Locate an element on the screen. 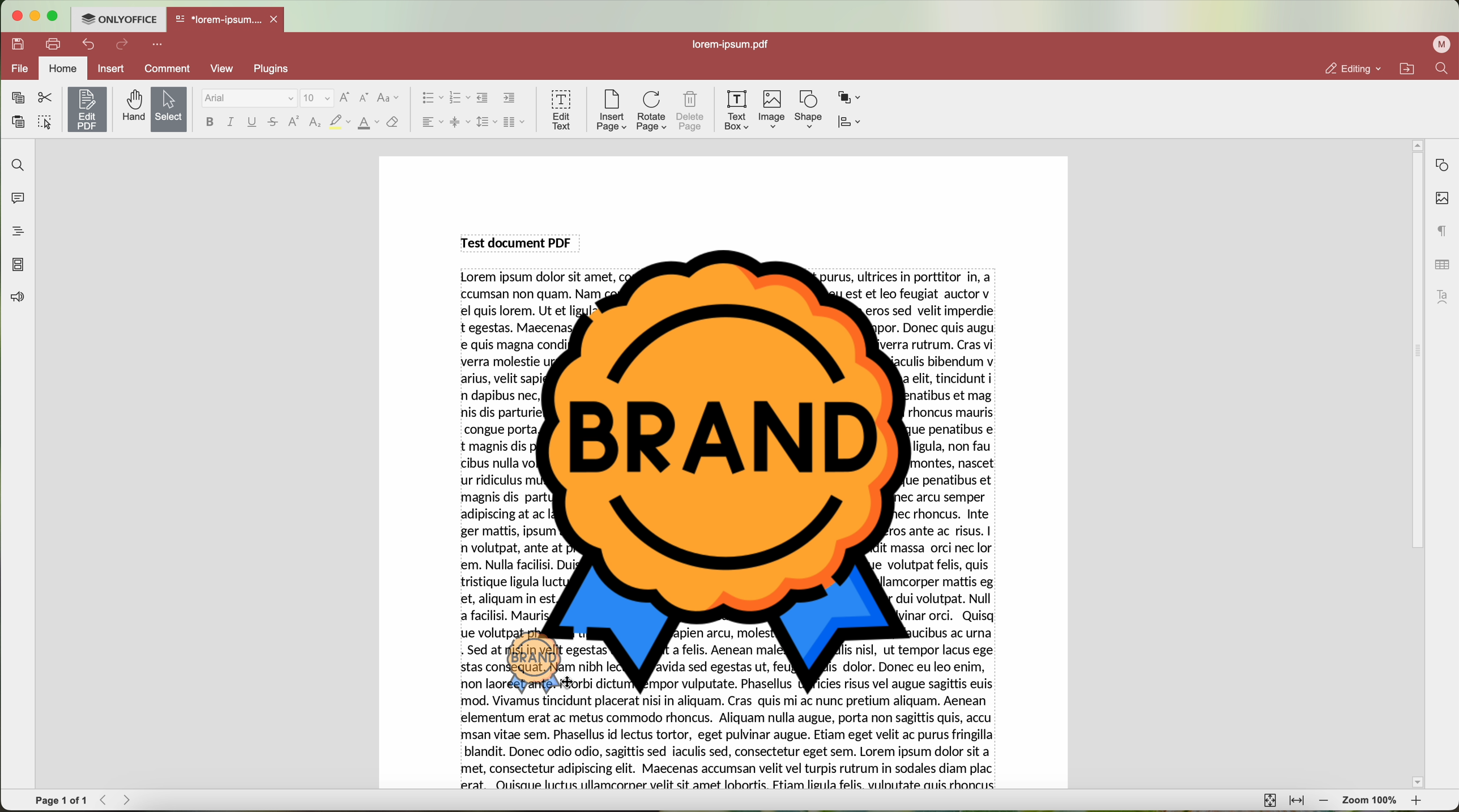  decrement font size is located at coordinates (364, 99).